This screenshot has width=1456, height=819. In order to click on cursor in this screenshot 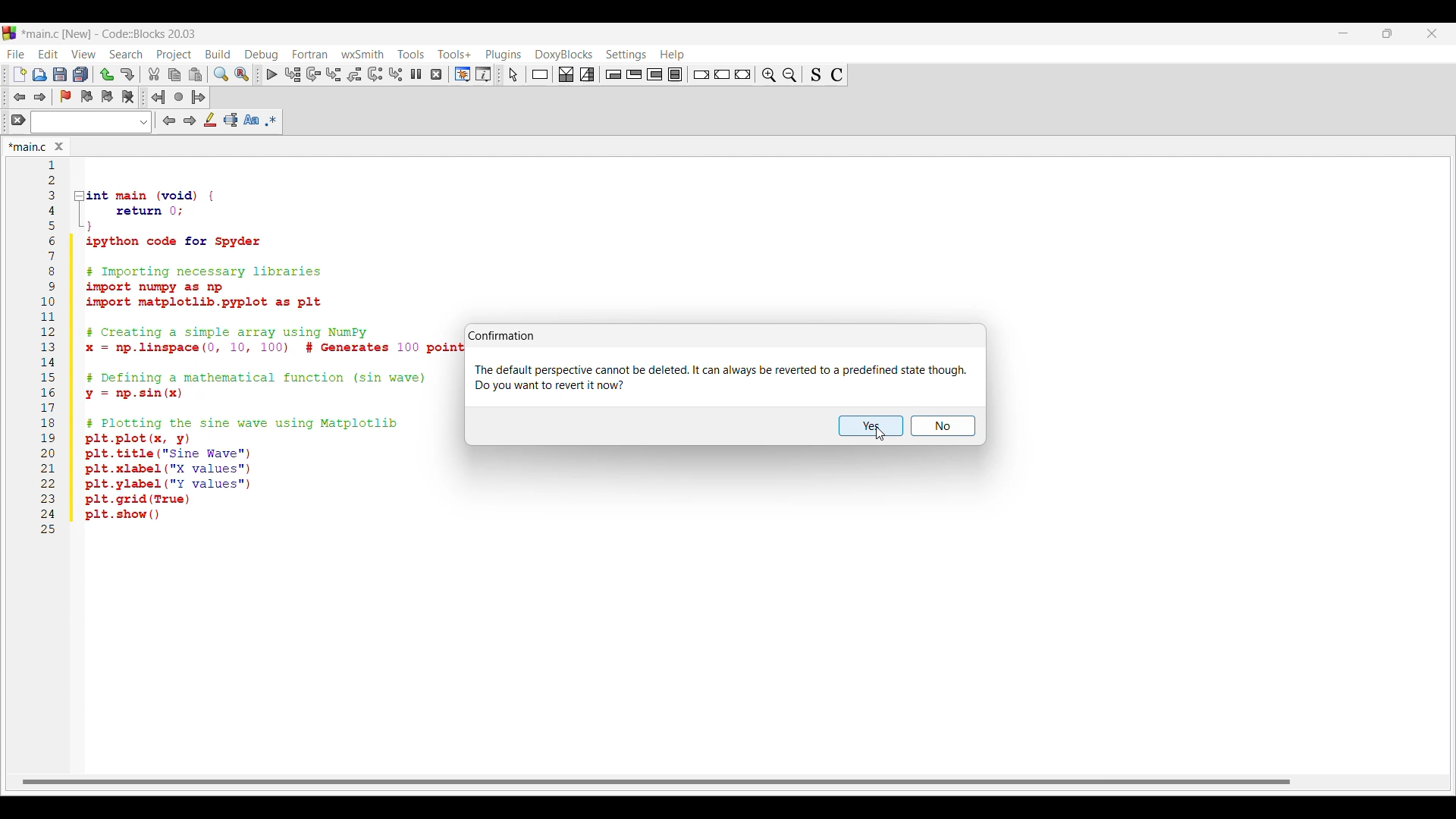, I will do `click(91, 65)`.